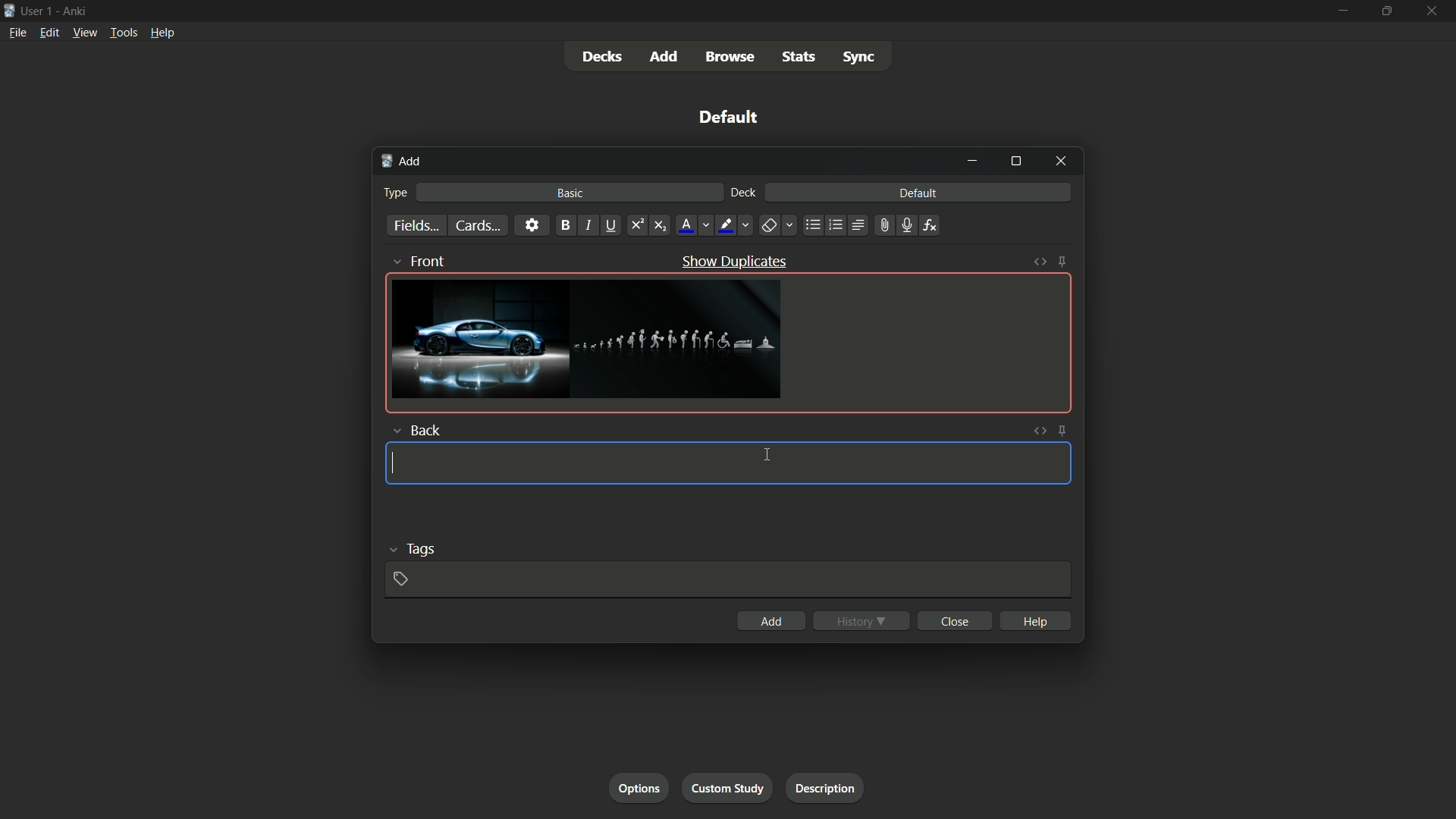 This screenshot has height=819, width=1456. Describe the element at coordinates (733, 225) in the screenshot. I see `text highlight` at that location.